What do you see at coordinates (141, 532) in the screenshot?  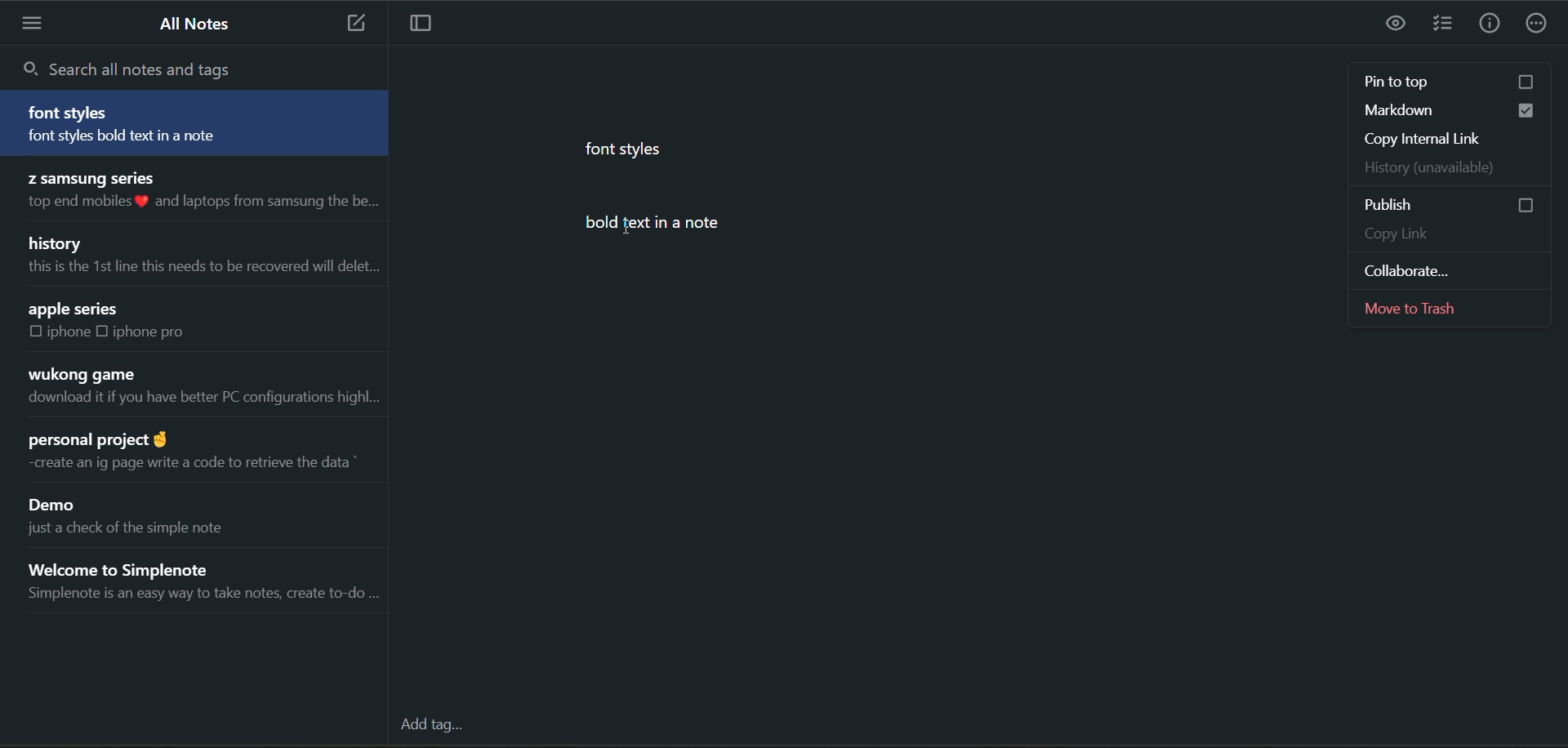 I see `just a check of the simple note` at bounding box center [141, 532].